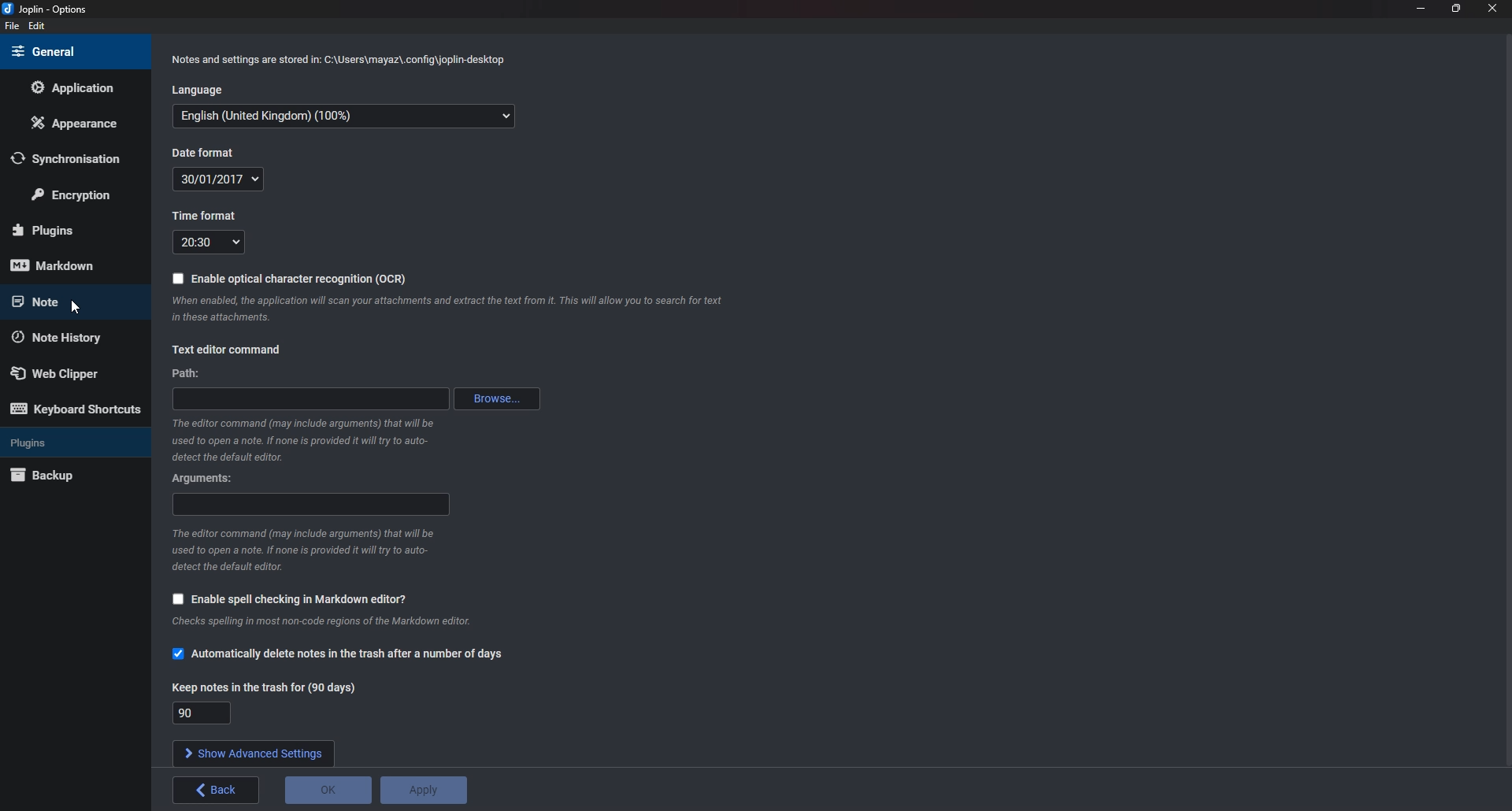 Image resolution: width=1512 pixels, height=811 pixels. I want to click on Time format, so click(211, 242).